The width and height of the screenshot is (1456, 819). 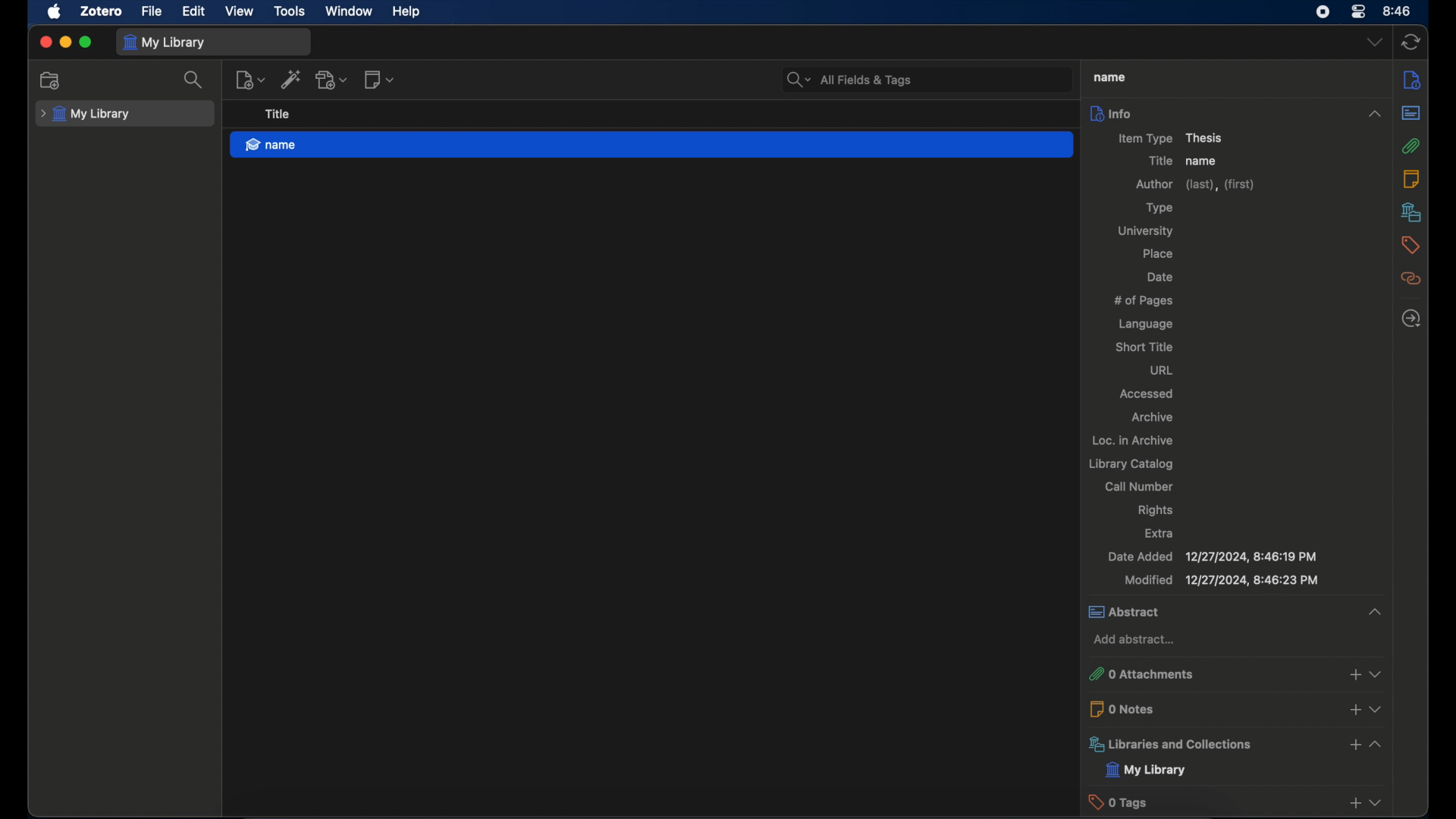 What do you see at coordinates (1146, 325) in the screenshot?
I see `language` at bounding box center [1146, 325].